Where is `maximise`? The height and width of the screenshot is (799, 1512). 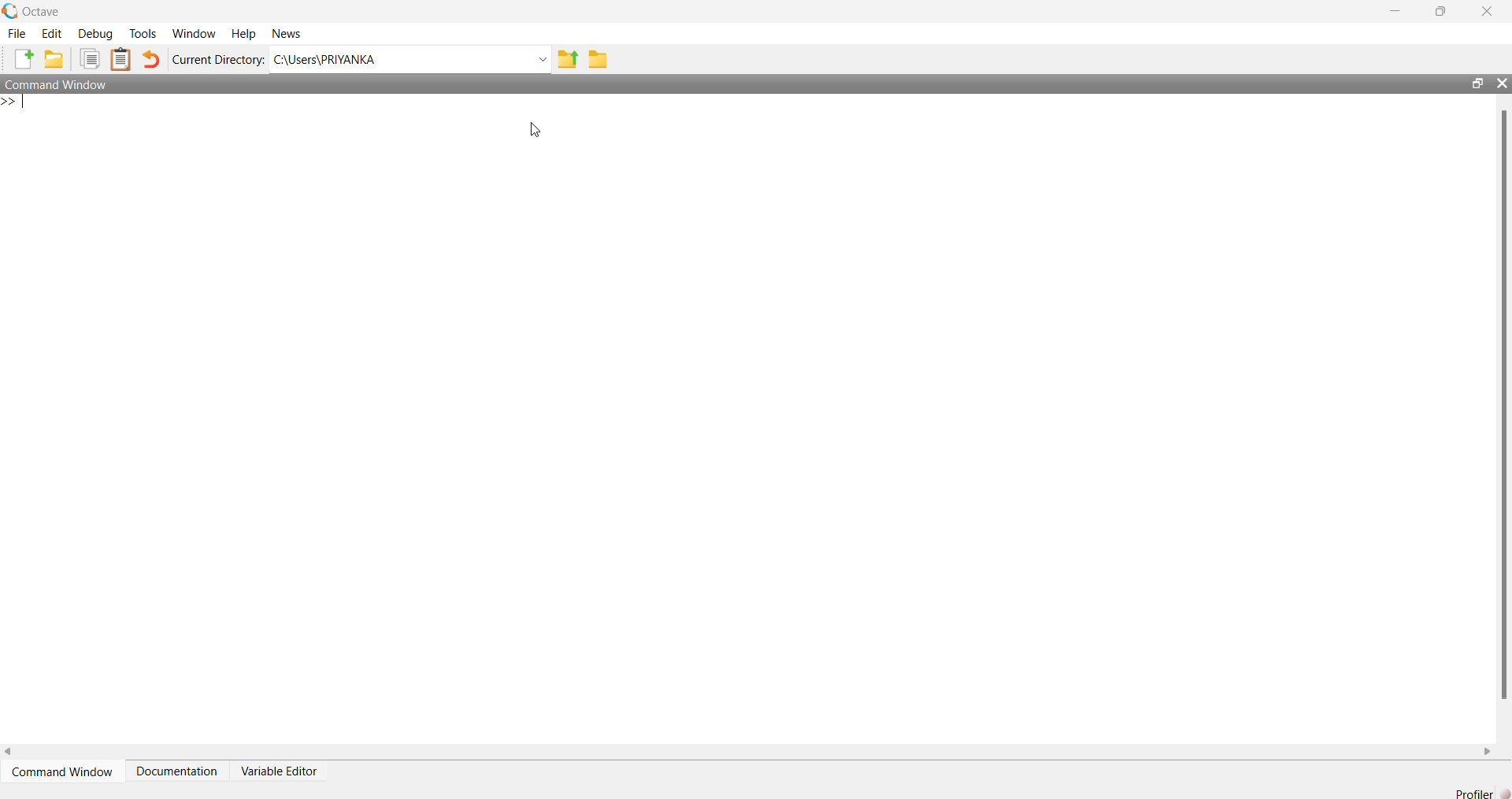 maximise is located at coordinates (1472, 82).